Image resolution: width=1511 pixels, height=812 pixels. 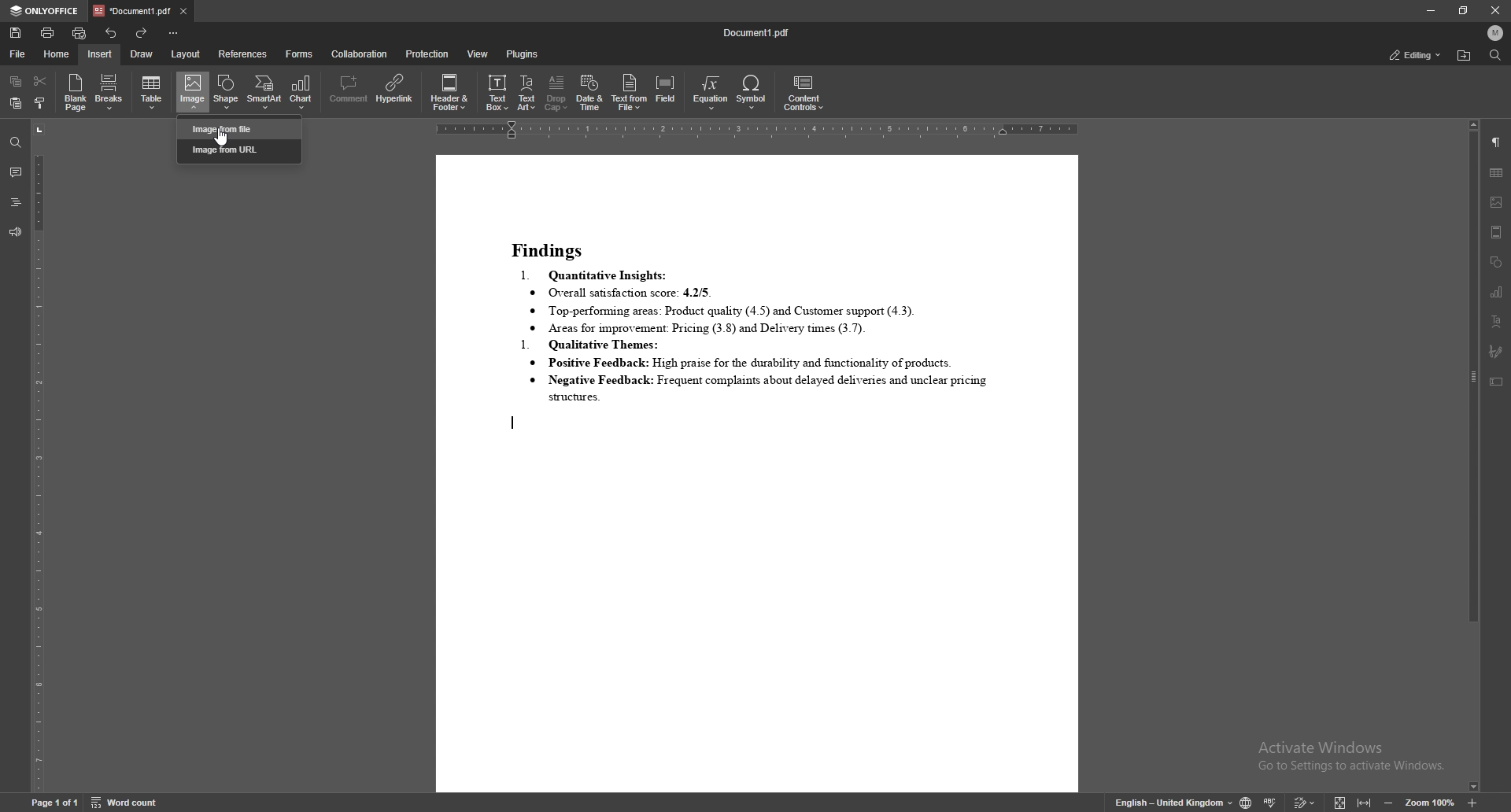 I want to click on undo, so click(x=111, y=33).